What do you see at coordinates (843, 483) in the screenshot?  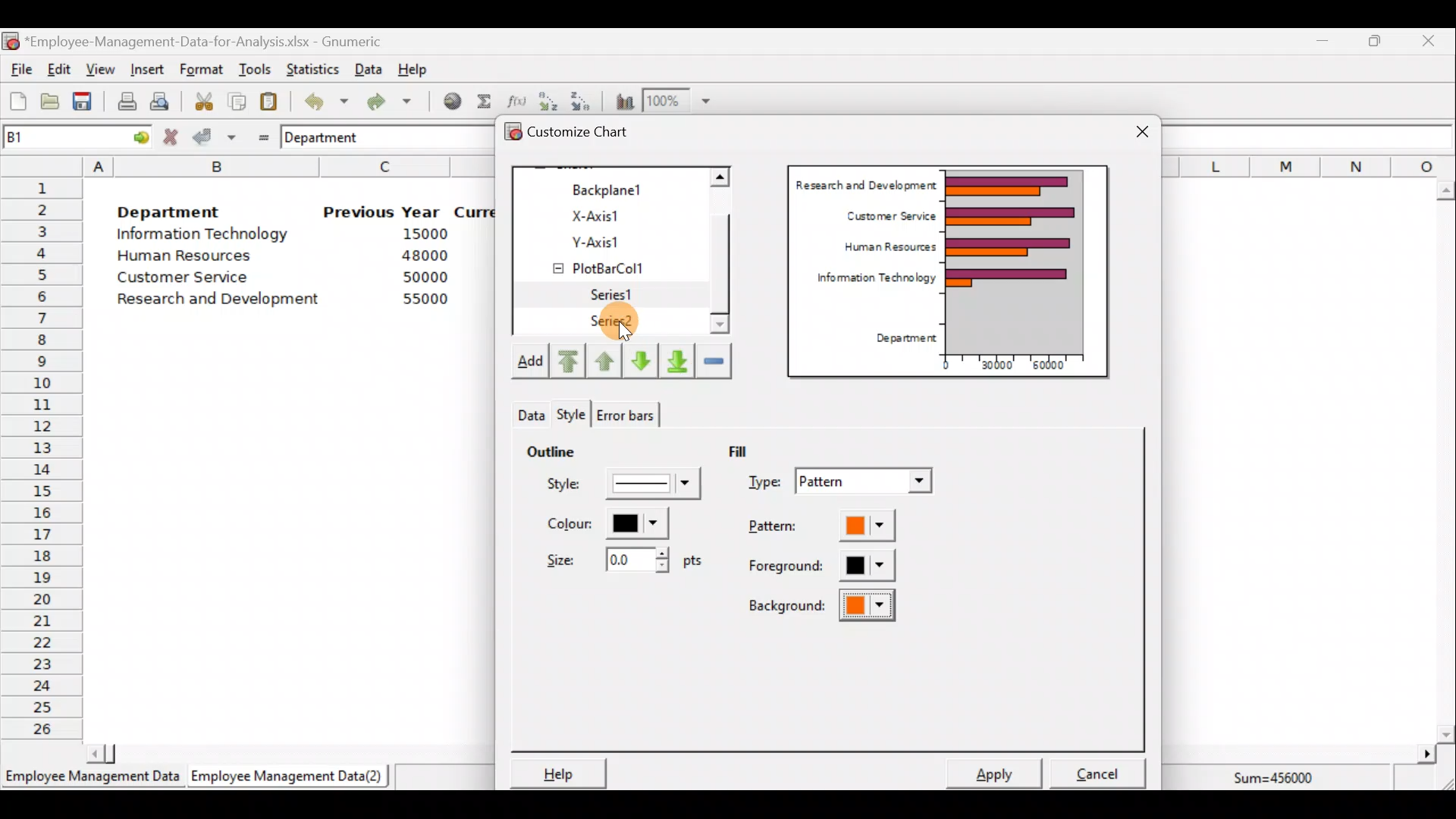 I see `Type` at bounding box center [843, 483].